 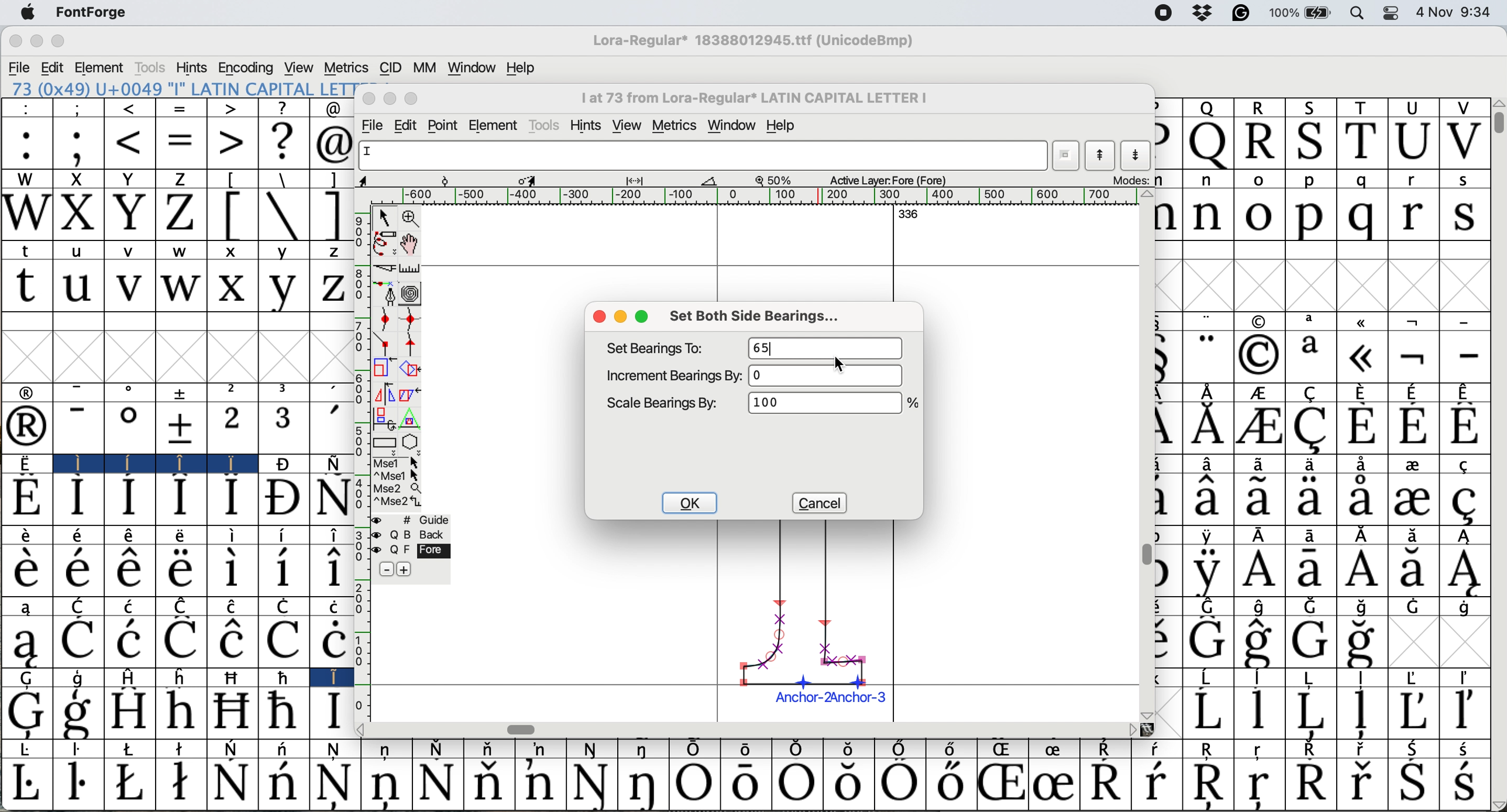 I want to click on Symbol, so click(x=742, y=785).